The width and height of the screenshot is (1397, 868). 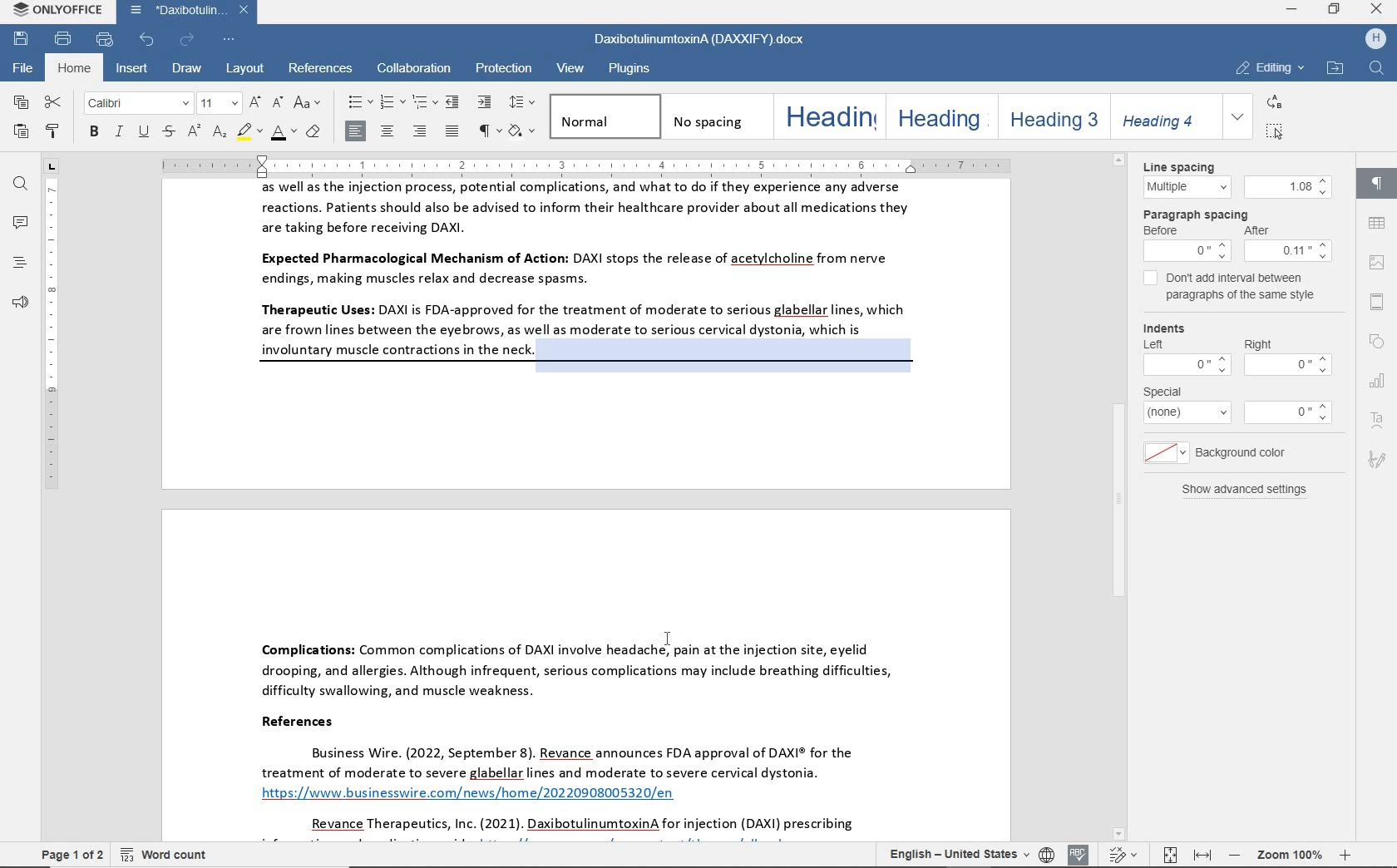 I want to click on insert, so click(x=134, y=69).